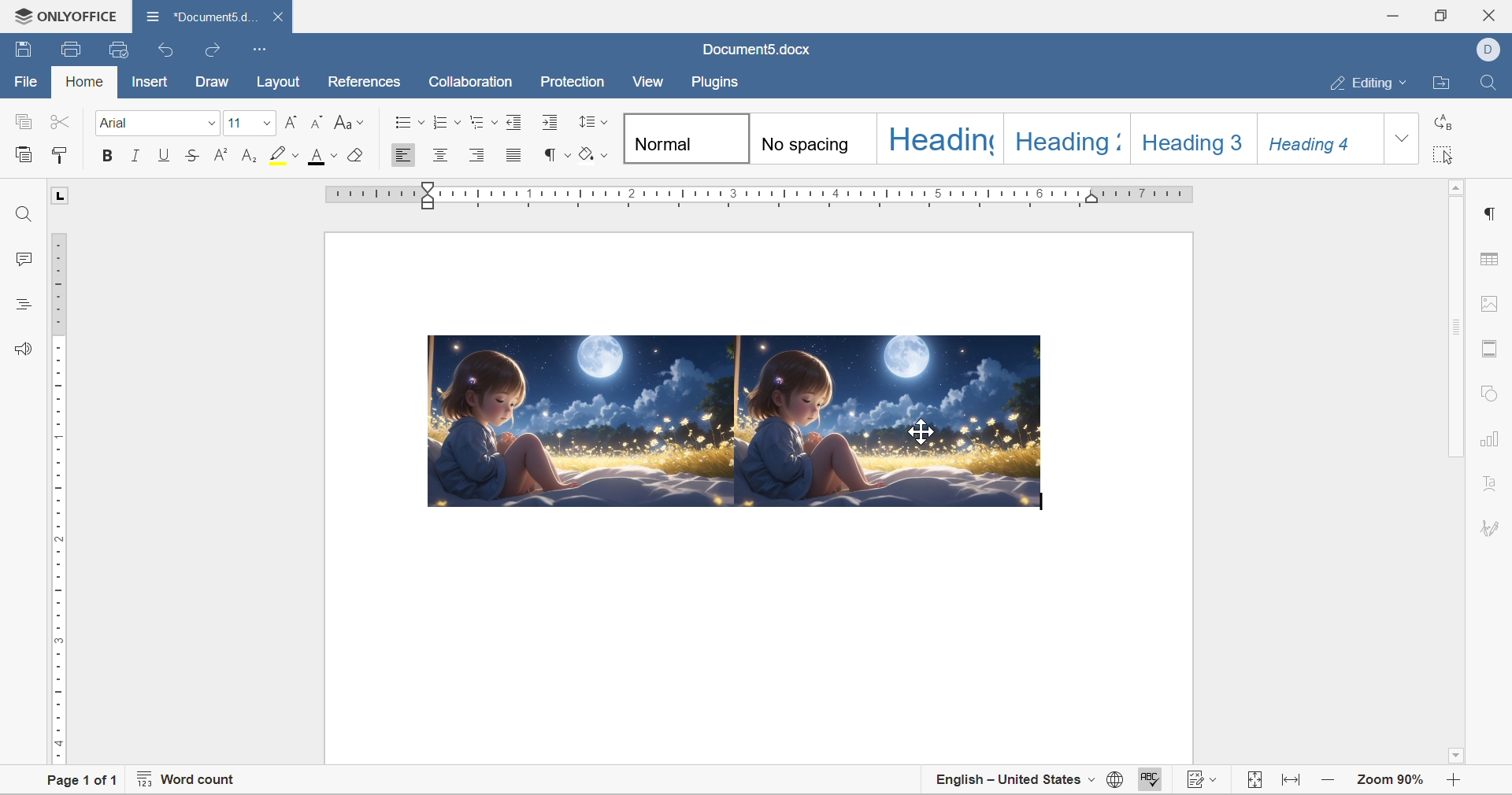 This screenshot has height=795, width=1512. Describe the element at coordinates (516, 121) in the screenshot. I see `decrease indent` at that location.